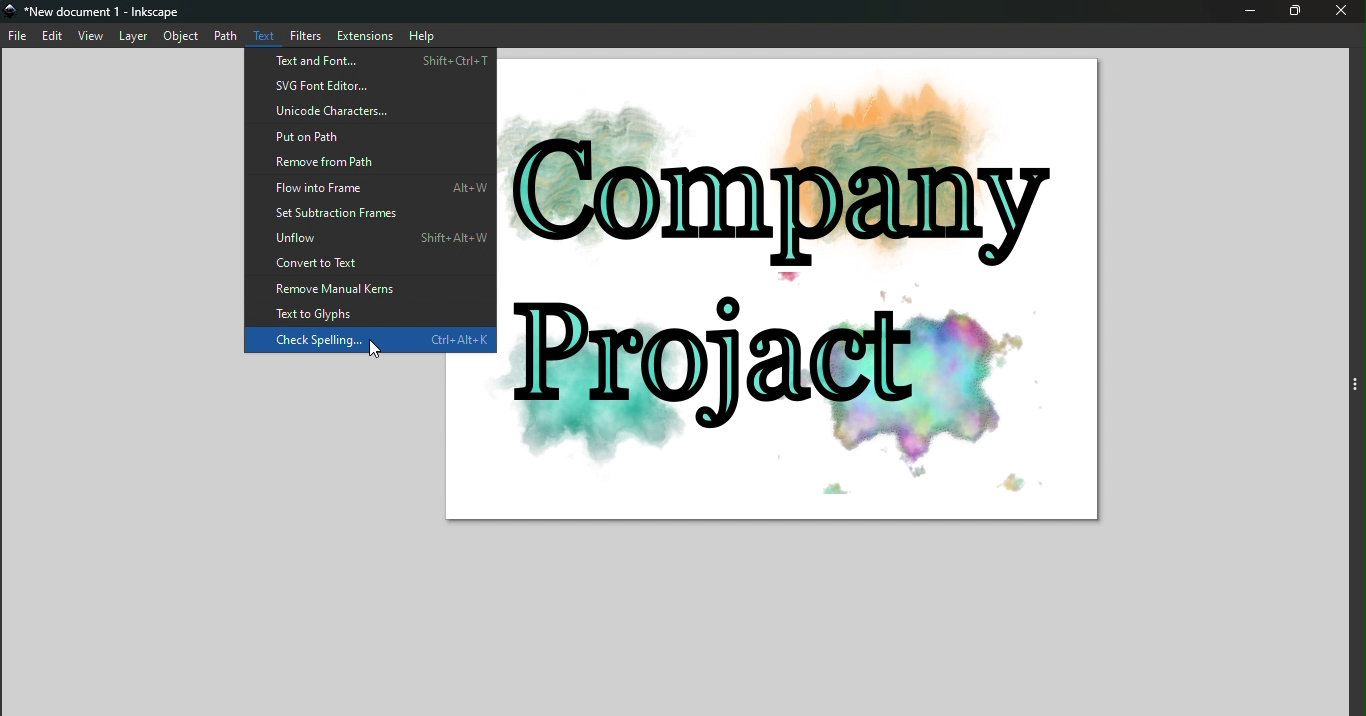  Describe the element at coordinates (370, 214) in the screenshot. I see `Set submission frames` at that location.